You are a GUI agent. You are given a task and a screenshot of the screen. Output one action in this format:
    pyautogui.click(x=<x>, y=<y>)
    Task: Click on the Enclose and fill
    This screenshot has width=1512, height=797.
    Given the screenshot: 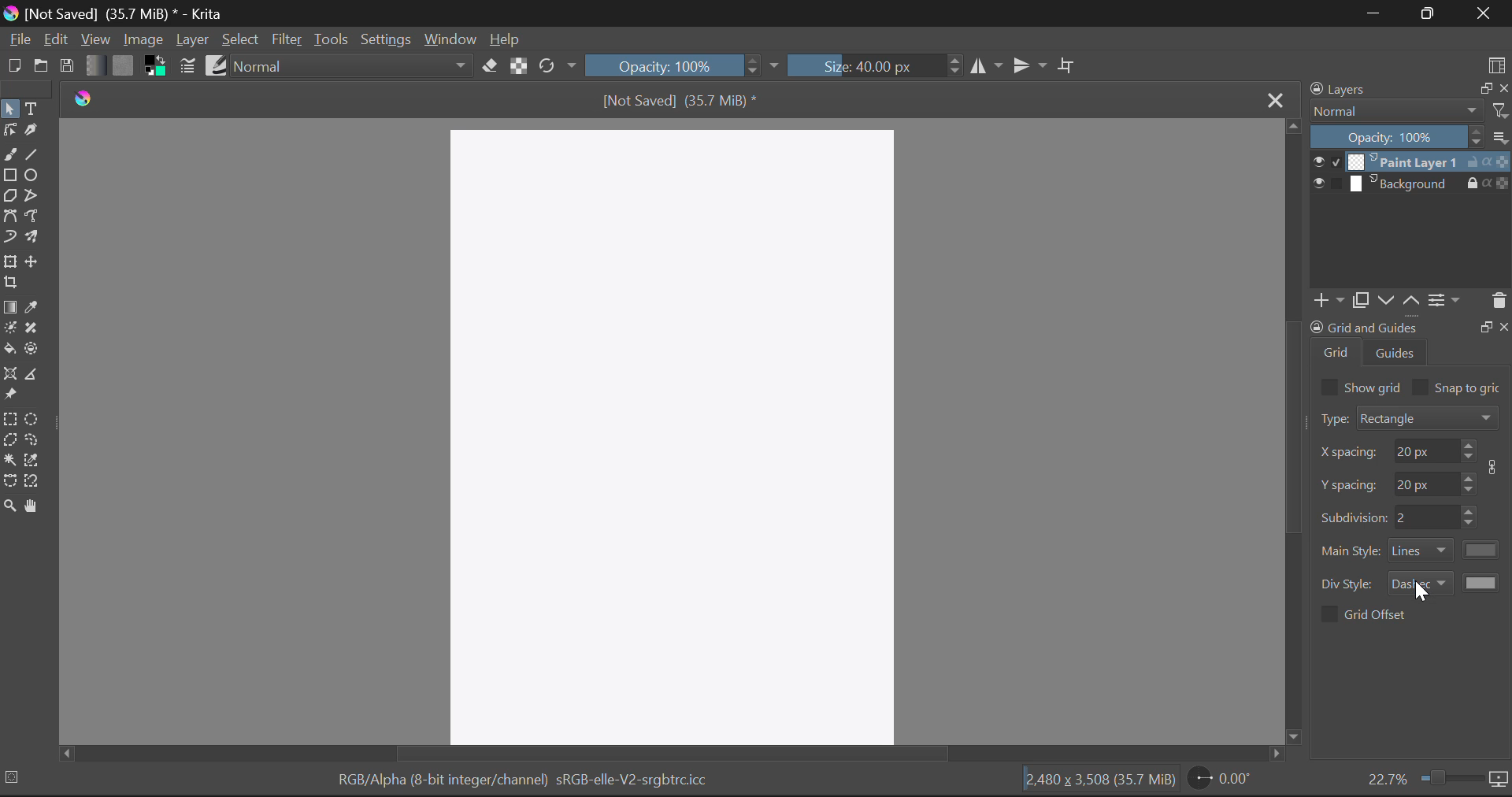 What is the action you would take?
    pyautogui.click(x=34, y=350)
    